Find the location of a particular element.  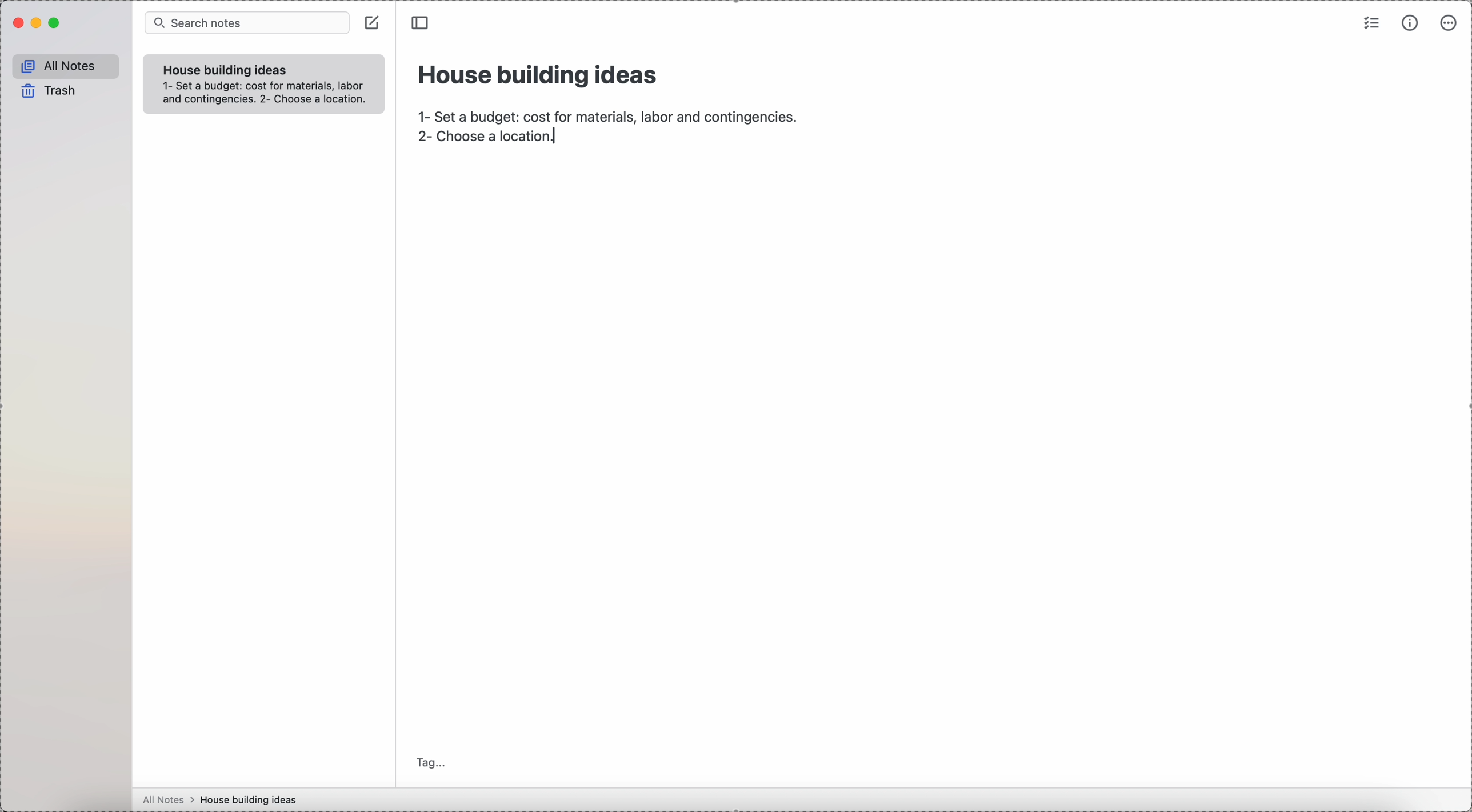

tag is located at coordinates (433, 762).